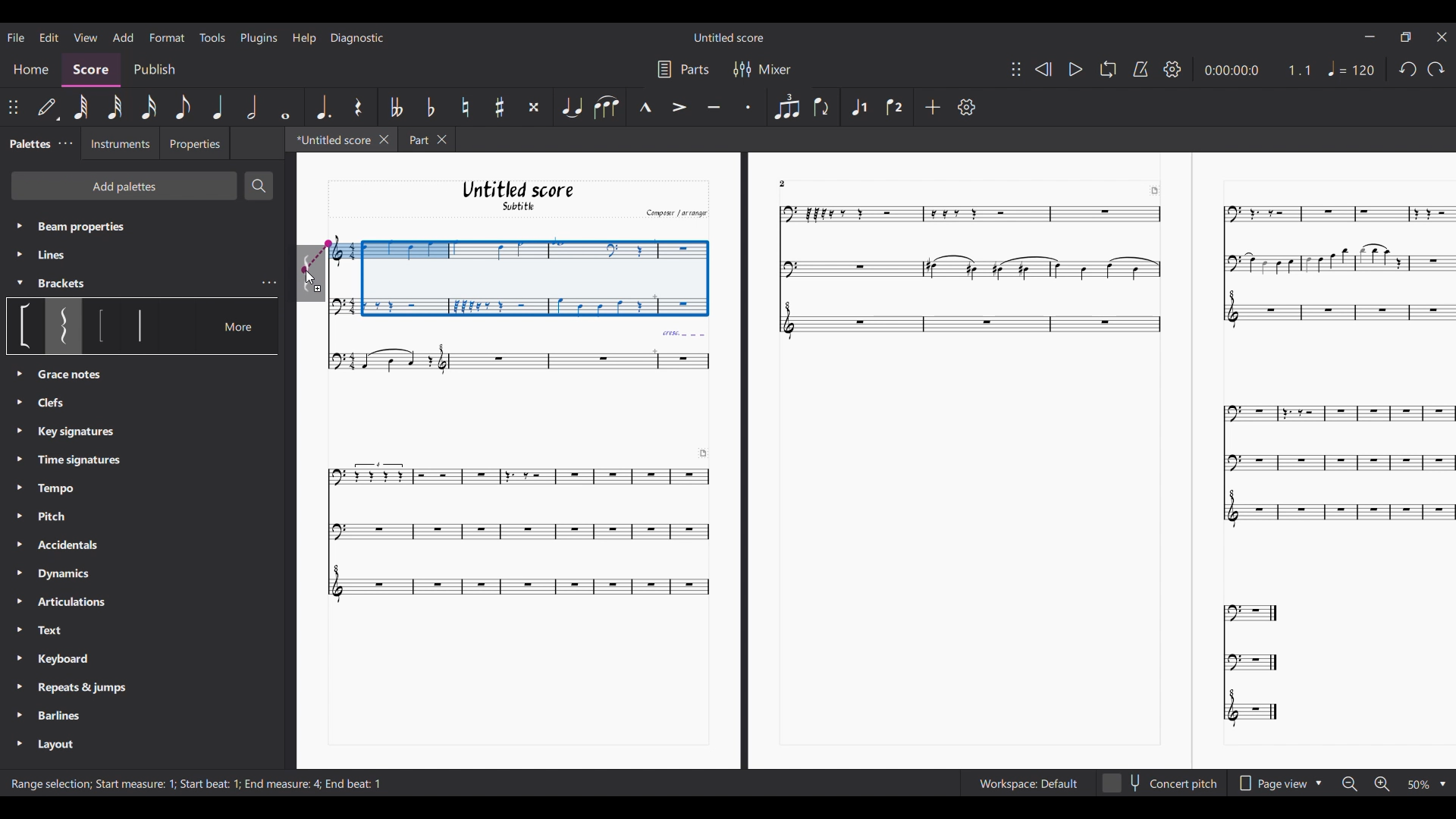  I want to click on start measure 1 ;, so click(136, 783).